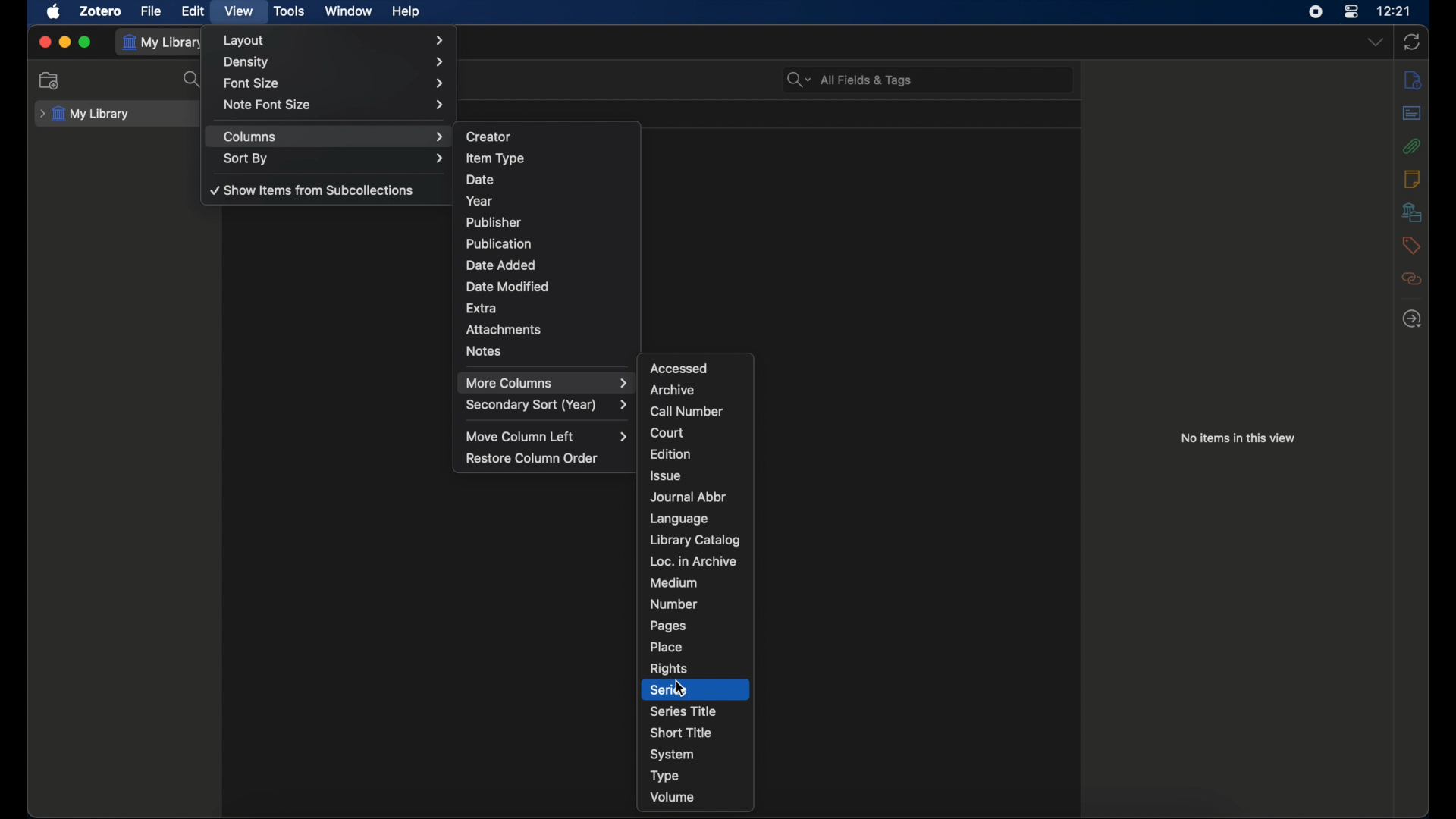  I want to click on info, so click(1412, 79).